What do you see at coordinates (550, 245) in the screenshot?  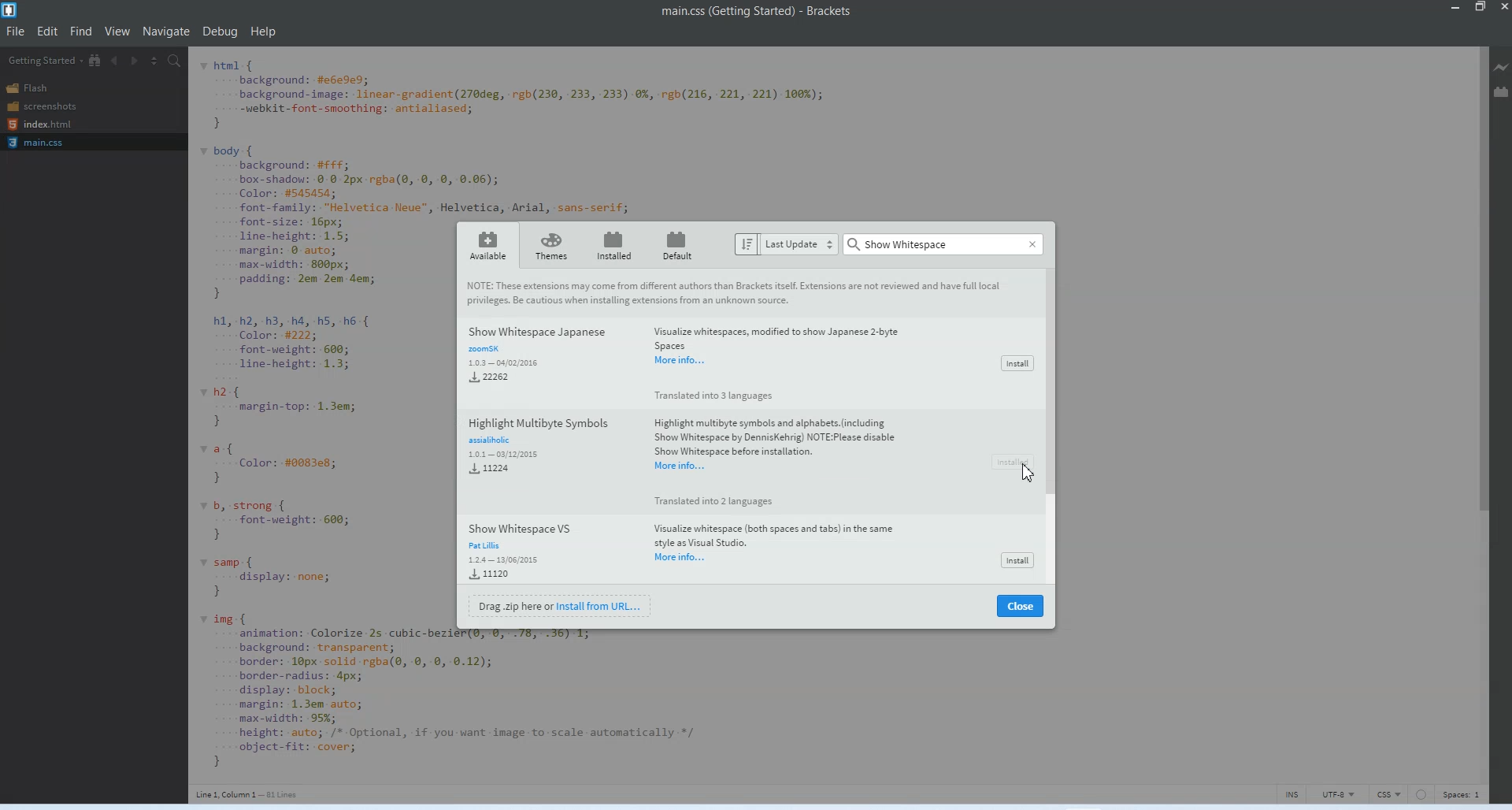 I see `Themes` at bounding box center [550, 245].